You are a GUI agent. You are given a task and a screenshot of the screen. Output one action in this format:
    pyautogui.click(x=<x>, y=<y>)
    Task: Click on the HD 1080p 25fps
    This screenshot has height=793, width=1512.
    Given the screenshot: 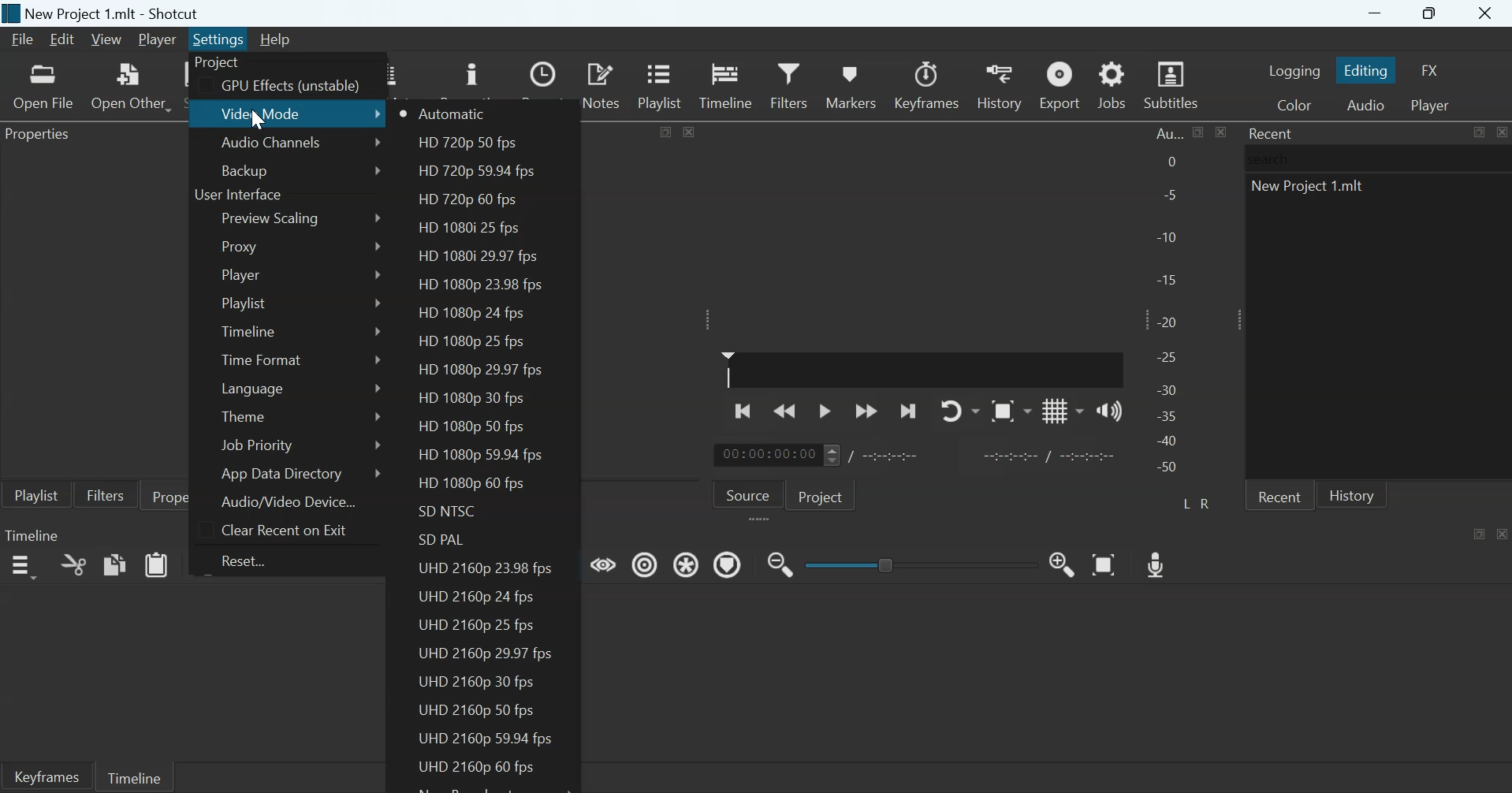 What is the action you would take?
    pyautogui.click(x=473, y=340)
    